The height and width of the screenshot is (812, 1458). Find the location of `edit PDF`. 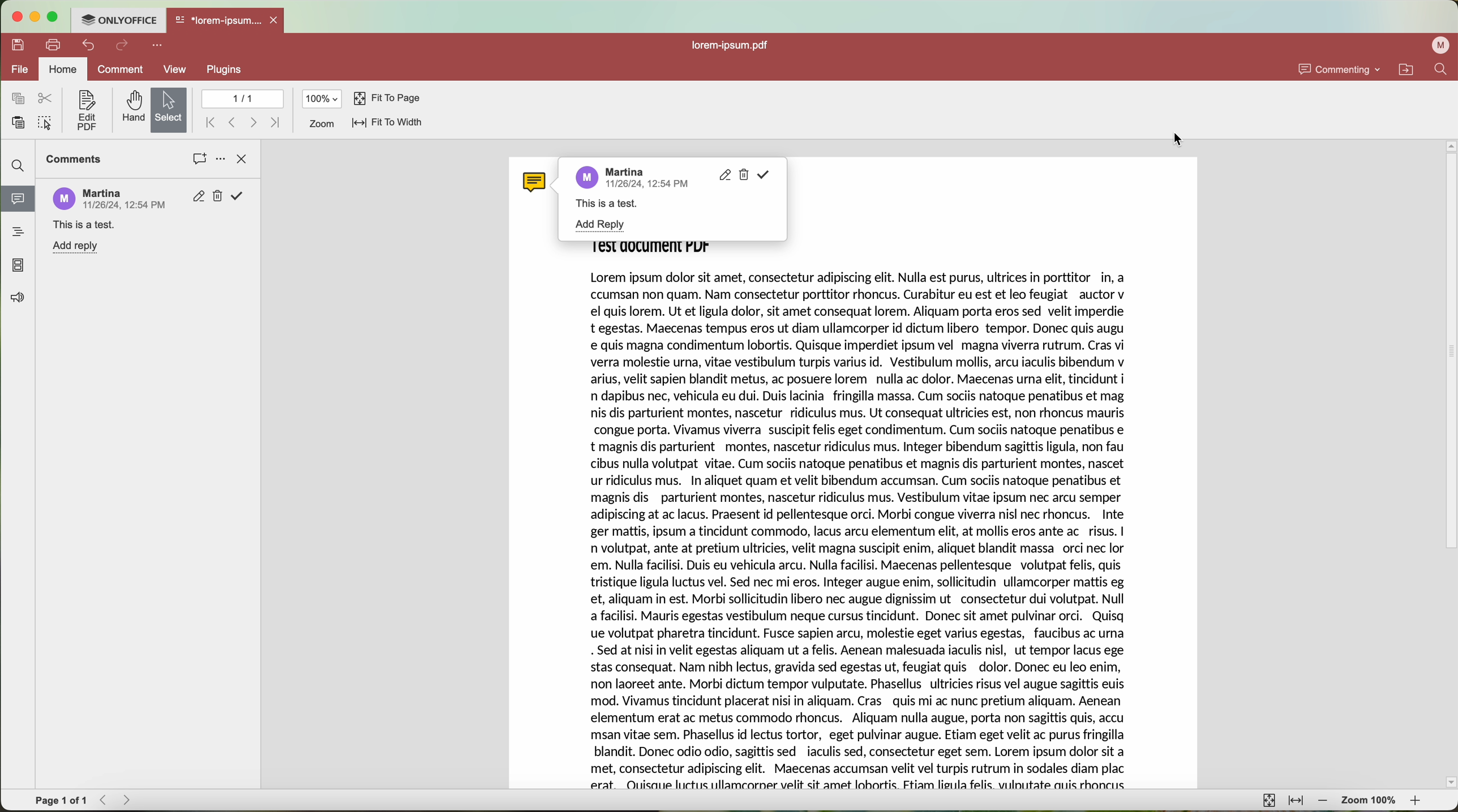

edit PDF is located at coordinates (85, 111).